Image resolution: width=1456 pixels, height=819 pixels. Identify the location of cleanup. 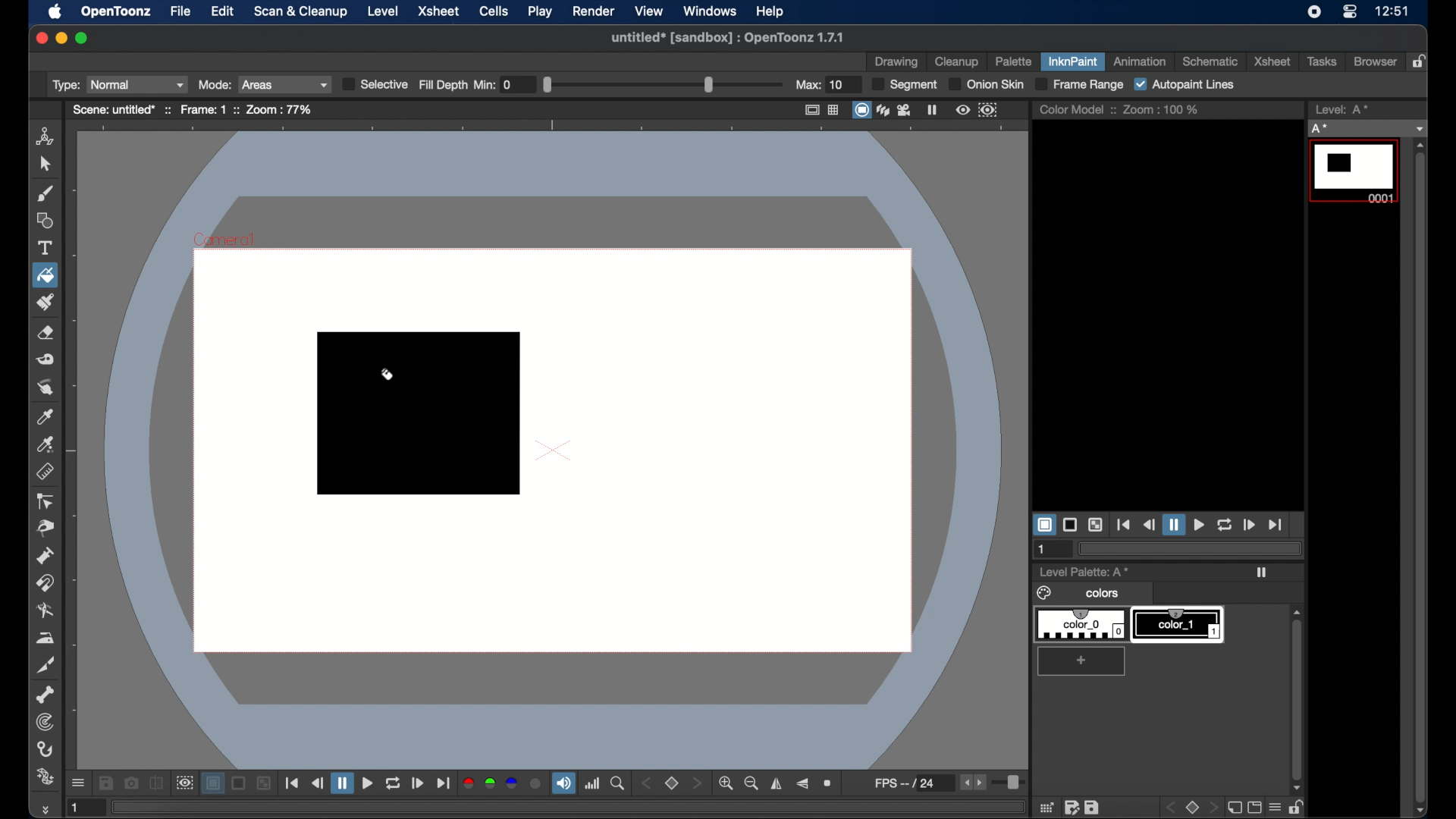
(959, 61).